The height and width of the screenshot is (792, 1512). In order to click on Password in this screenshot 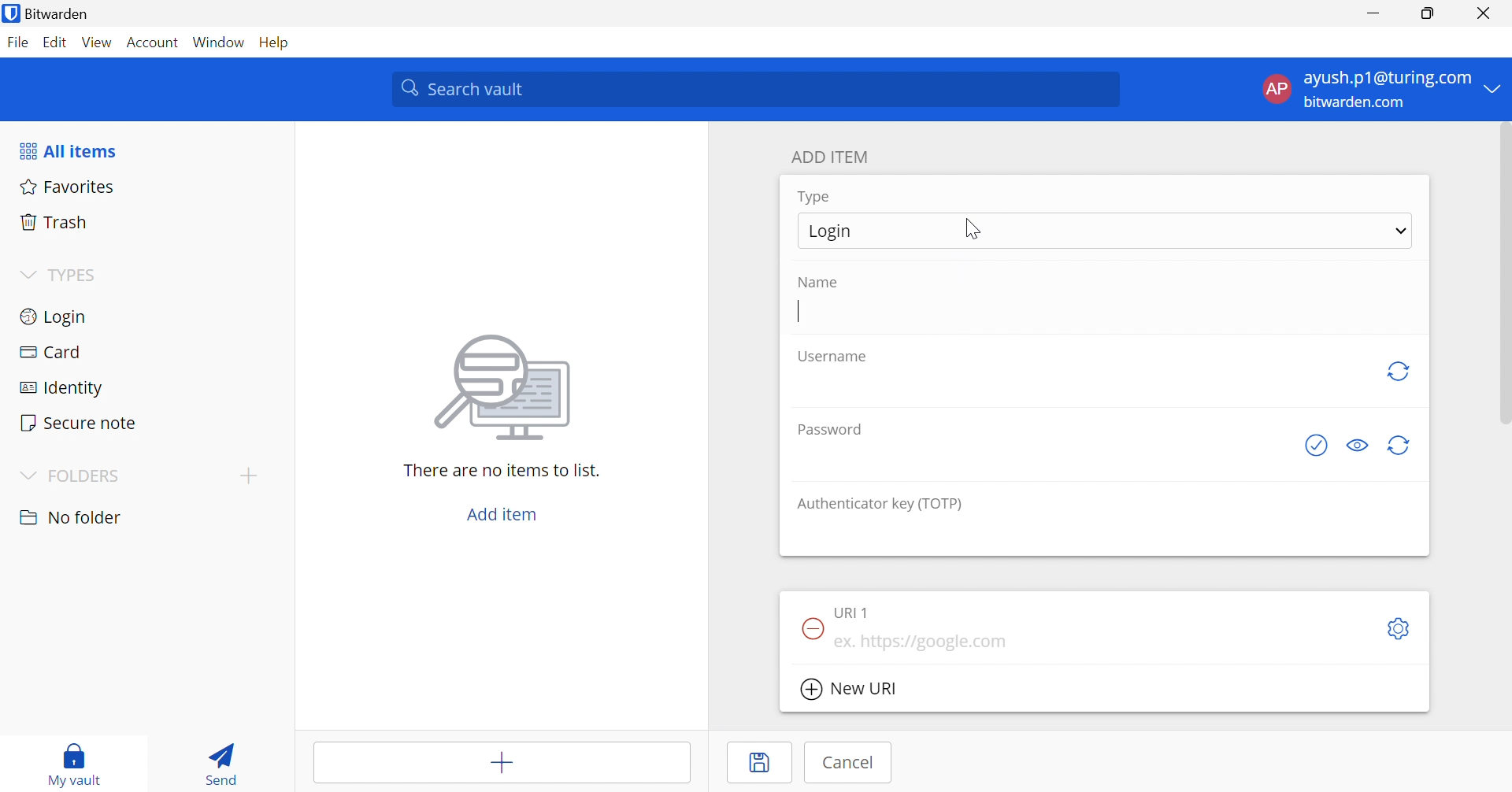, I will do `click(831, 431)`.